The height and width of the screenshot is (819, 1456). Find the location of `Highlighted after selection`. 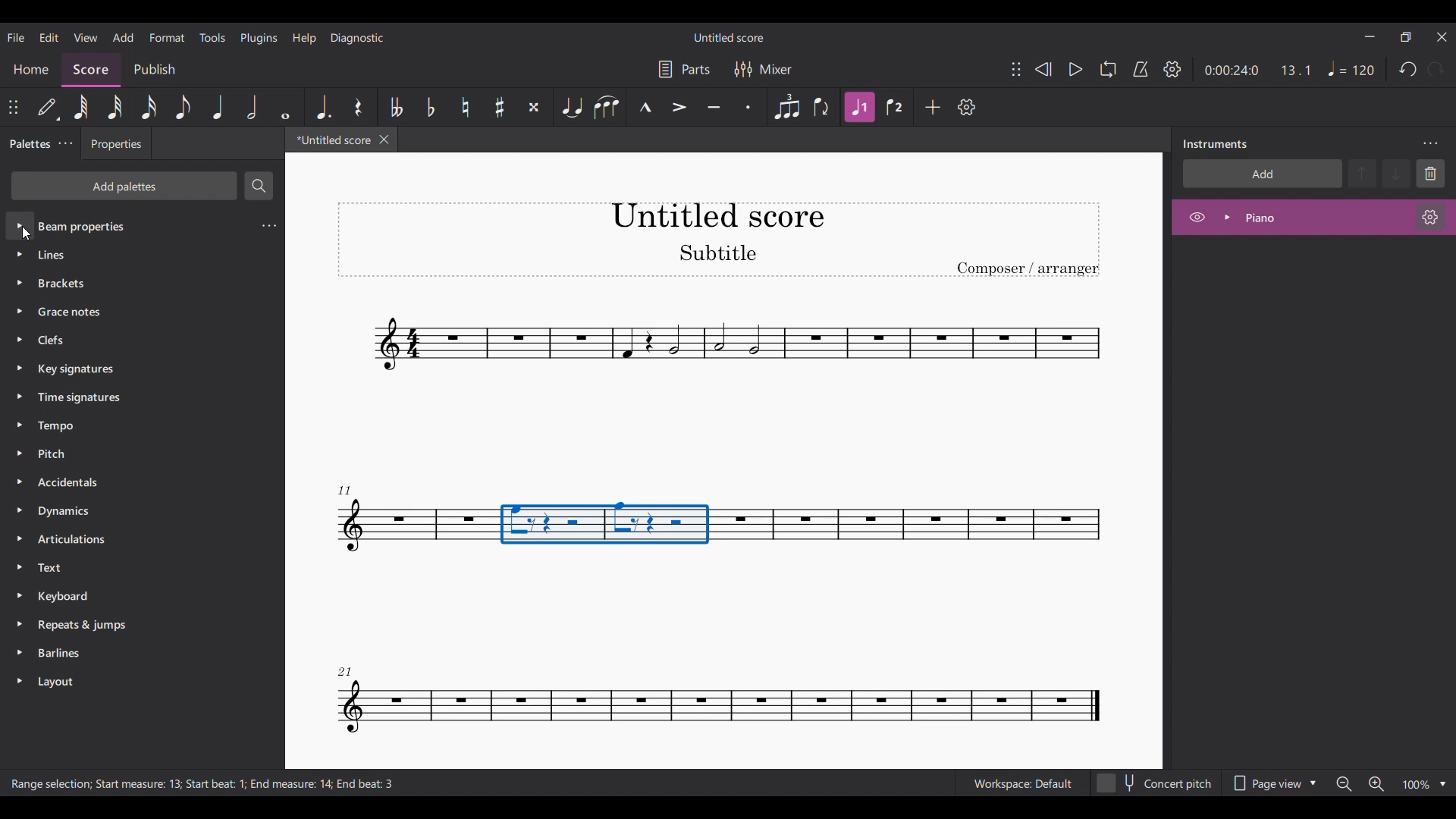

Highlighted after selection is located at coordinates (860, 107).